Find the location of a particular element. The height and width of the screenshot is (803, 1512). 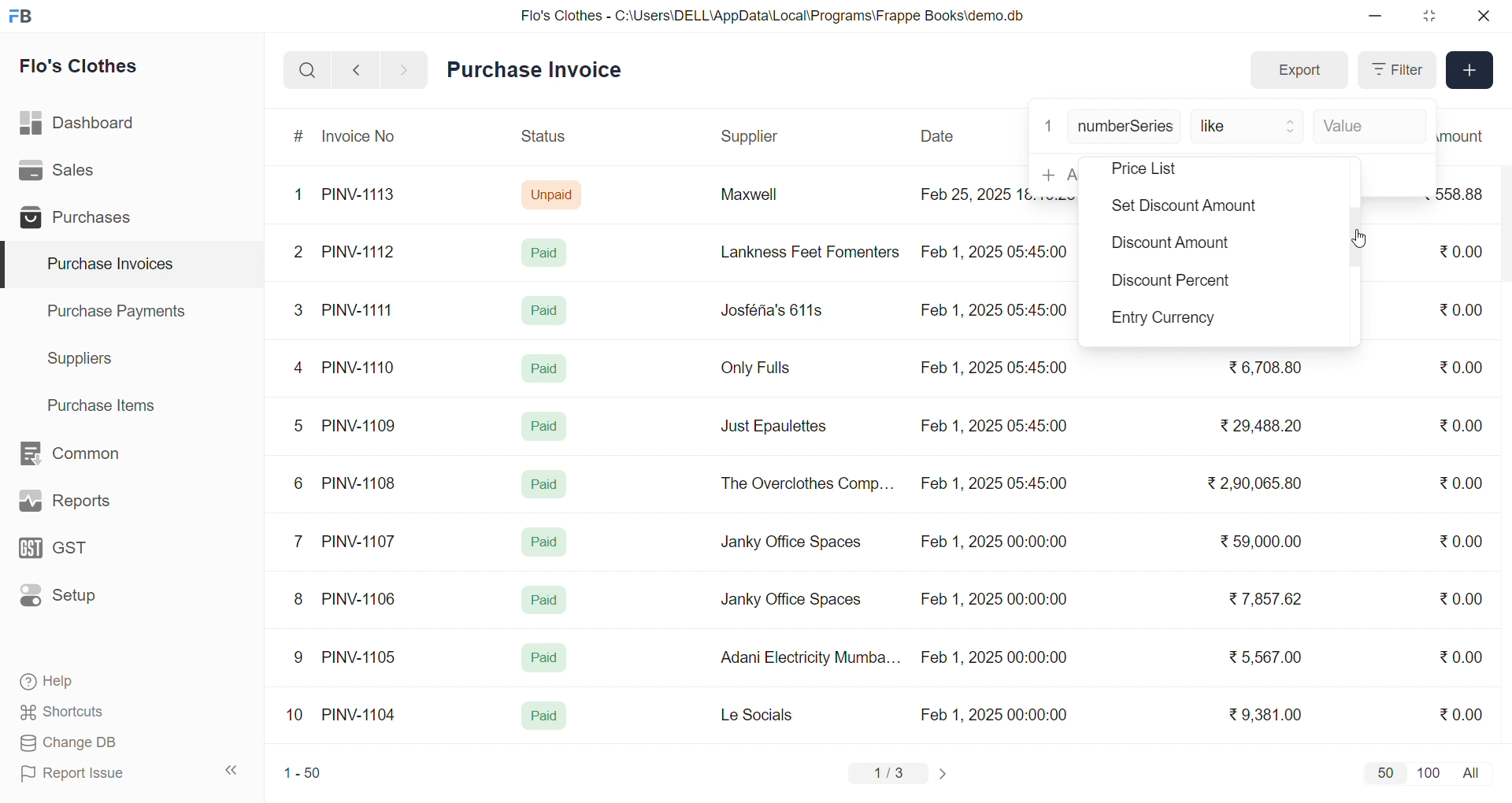

Adani Electricity Mumba... is located at coordinates (812, 658).